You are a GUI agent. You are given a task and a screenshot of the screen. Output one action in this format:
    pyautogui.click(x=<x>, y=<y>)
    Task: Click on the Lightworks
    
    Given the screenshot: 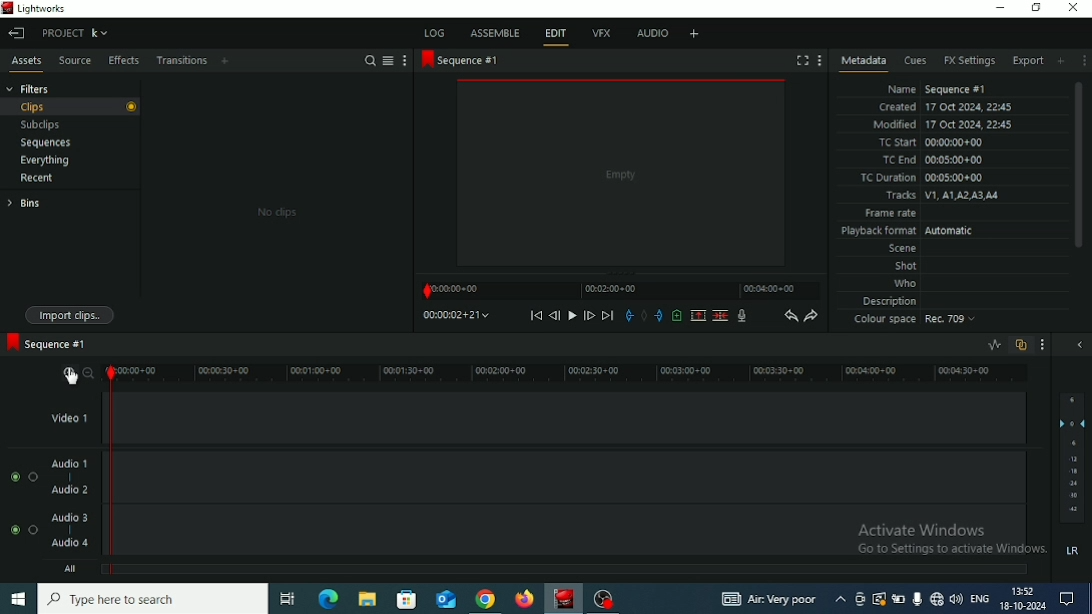 What is the action you would take?
    pyautogui.click(x=564, y=598)
    